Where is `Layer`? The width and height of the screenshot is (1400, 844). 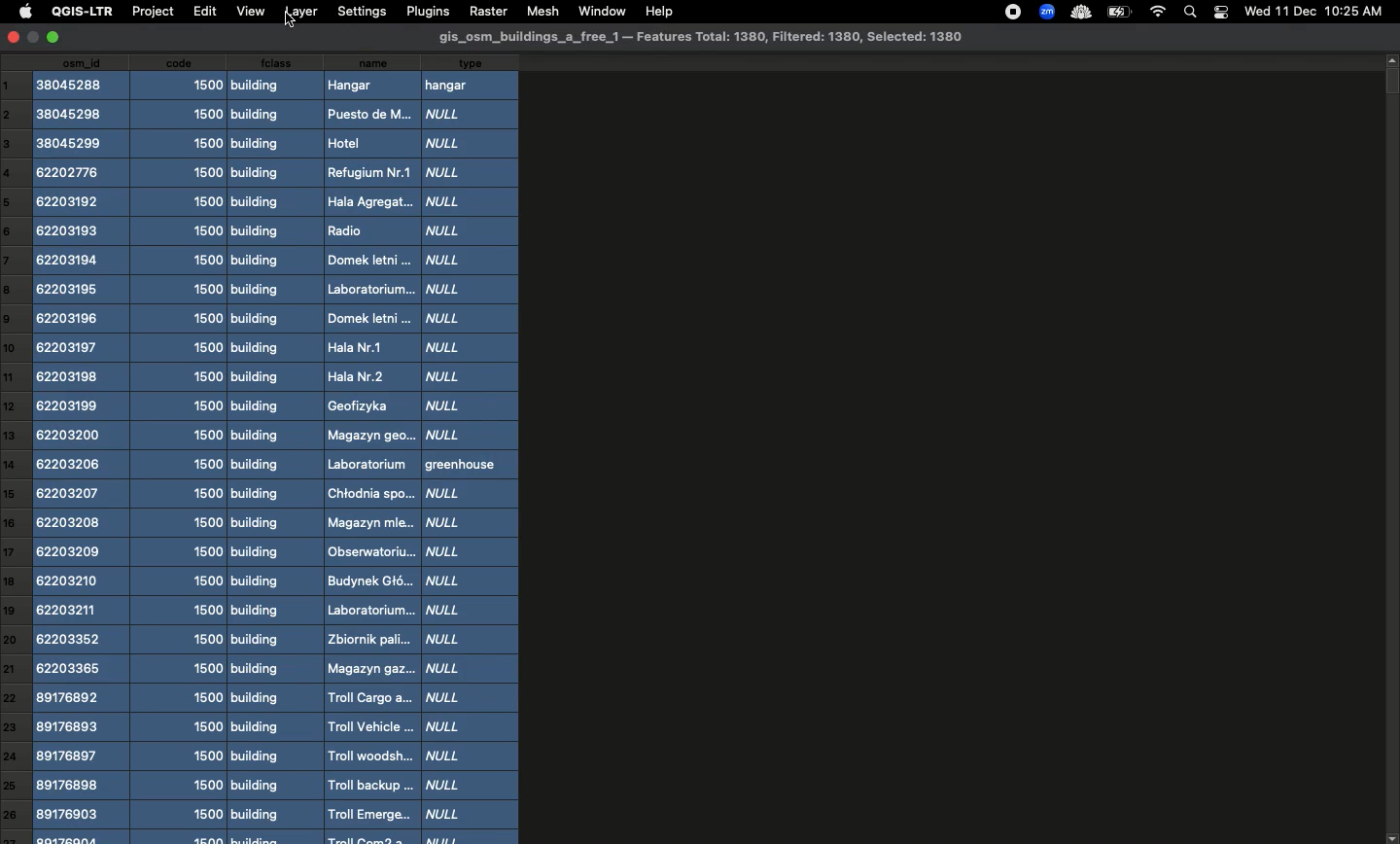 Layer is located at coordinates (301, 12).